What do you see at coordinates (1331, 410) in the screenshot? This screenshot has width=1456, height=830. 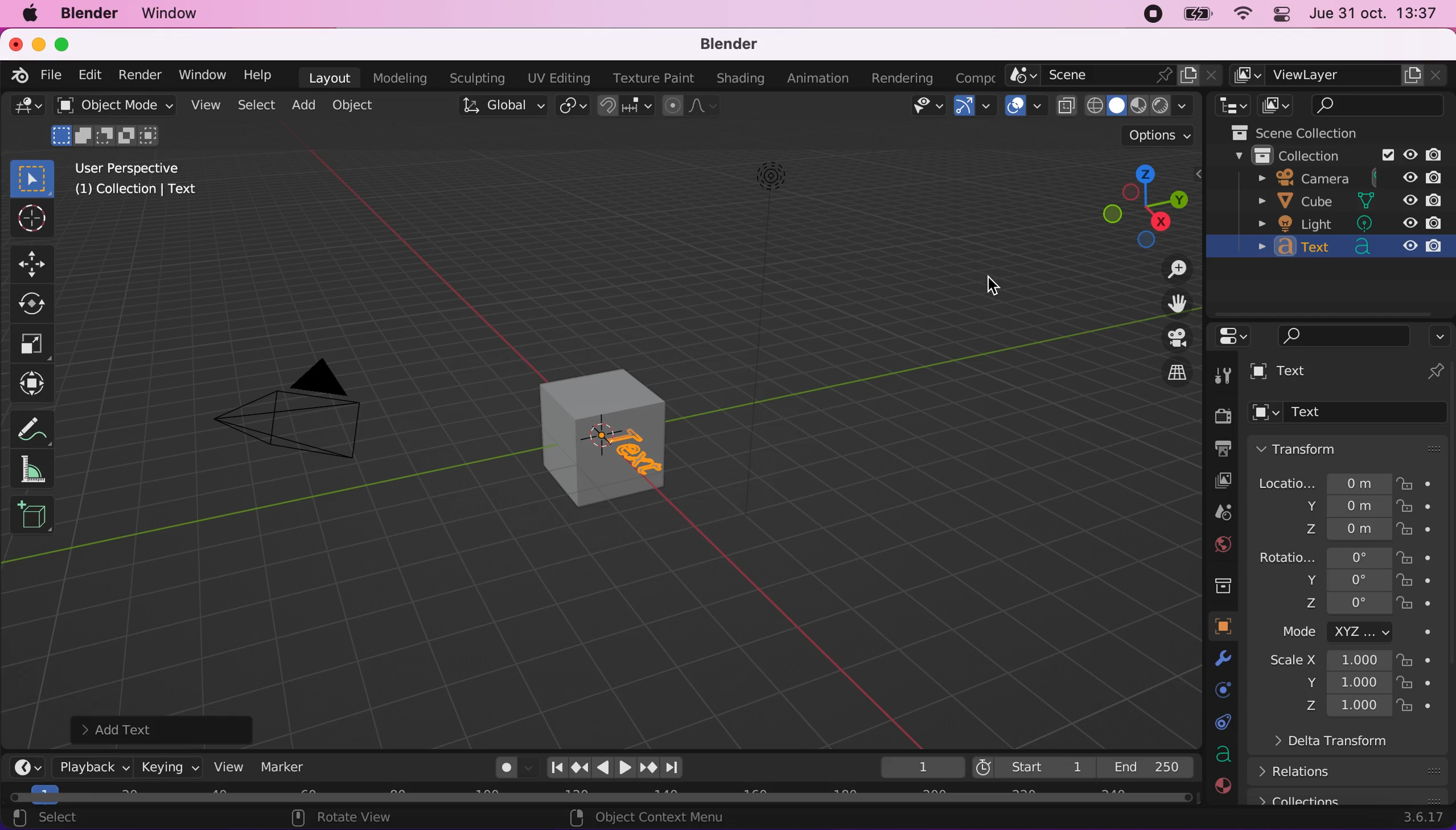 I see `text` at bounding box center [1331, 410].